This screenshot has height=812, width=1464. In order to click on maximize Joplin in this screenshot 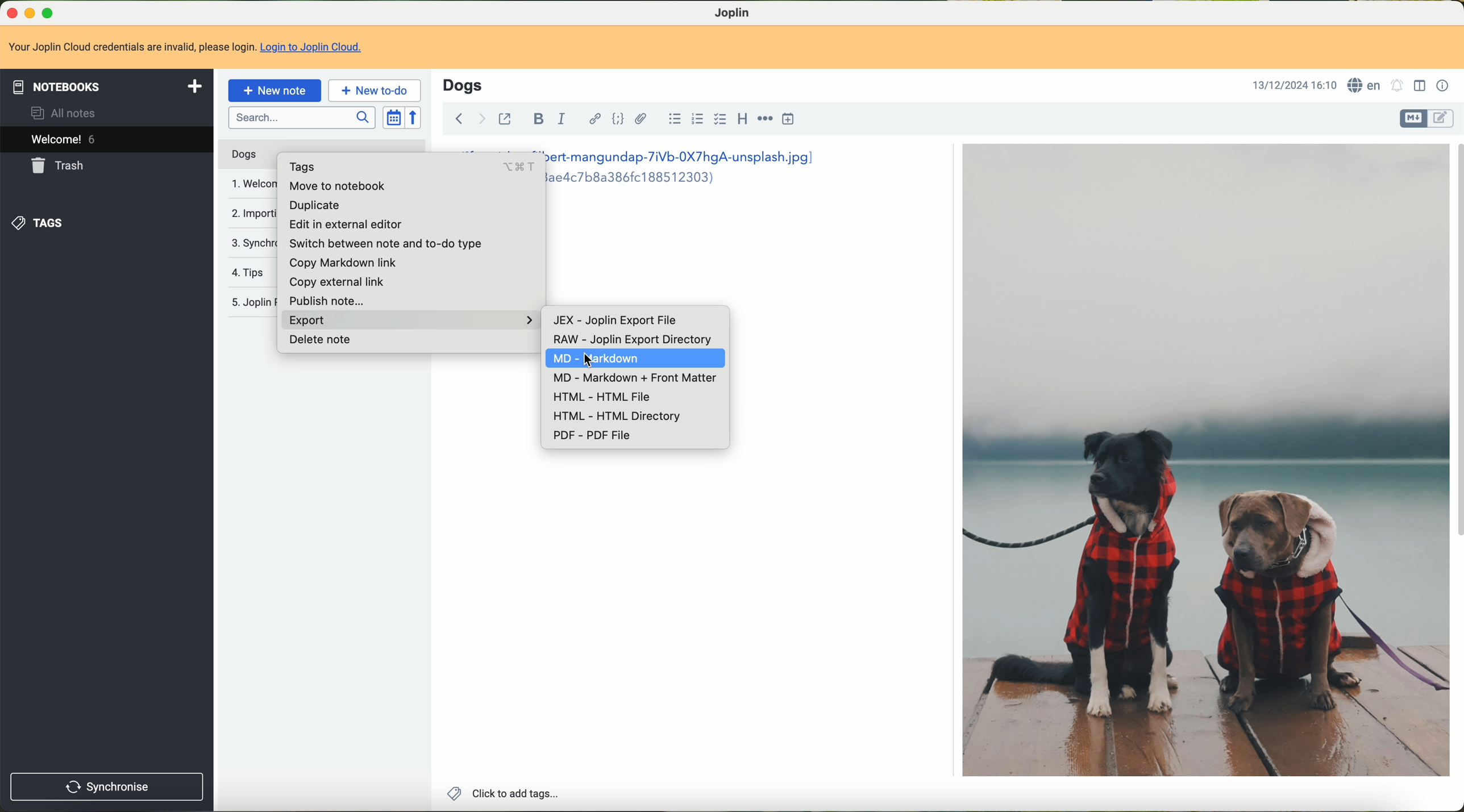, I will do `click(49, 14)`.